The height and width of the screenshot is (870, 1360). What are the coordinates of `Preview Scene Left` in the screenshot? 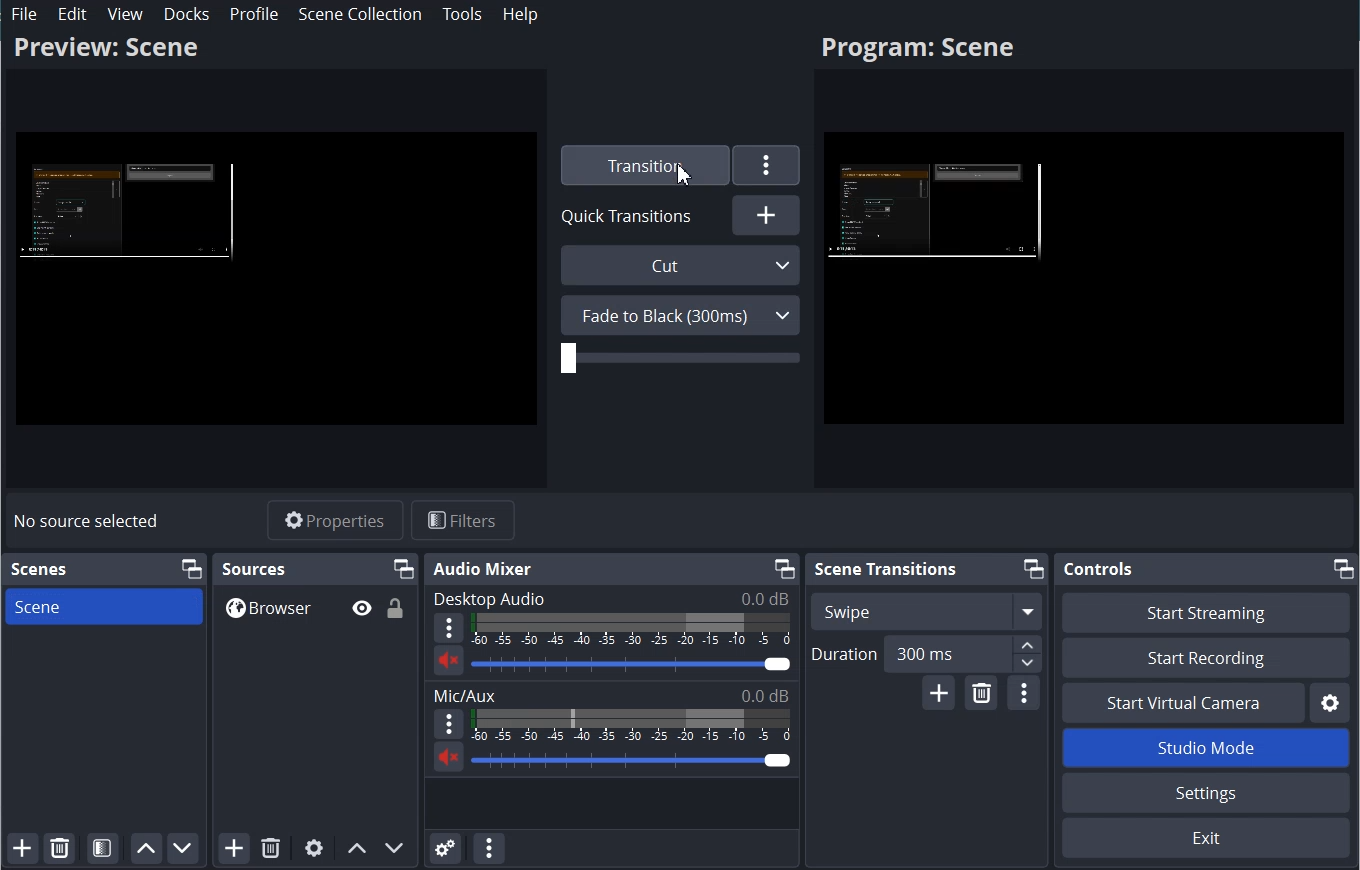 It's located at (276, 280).